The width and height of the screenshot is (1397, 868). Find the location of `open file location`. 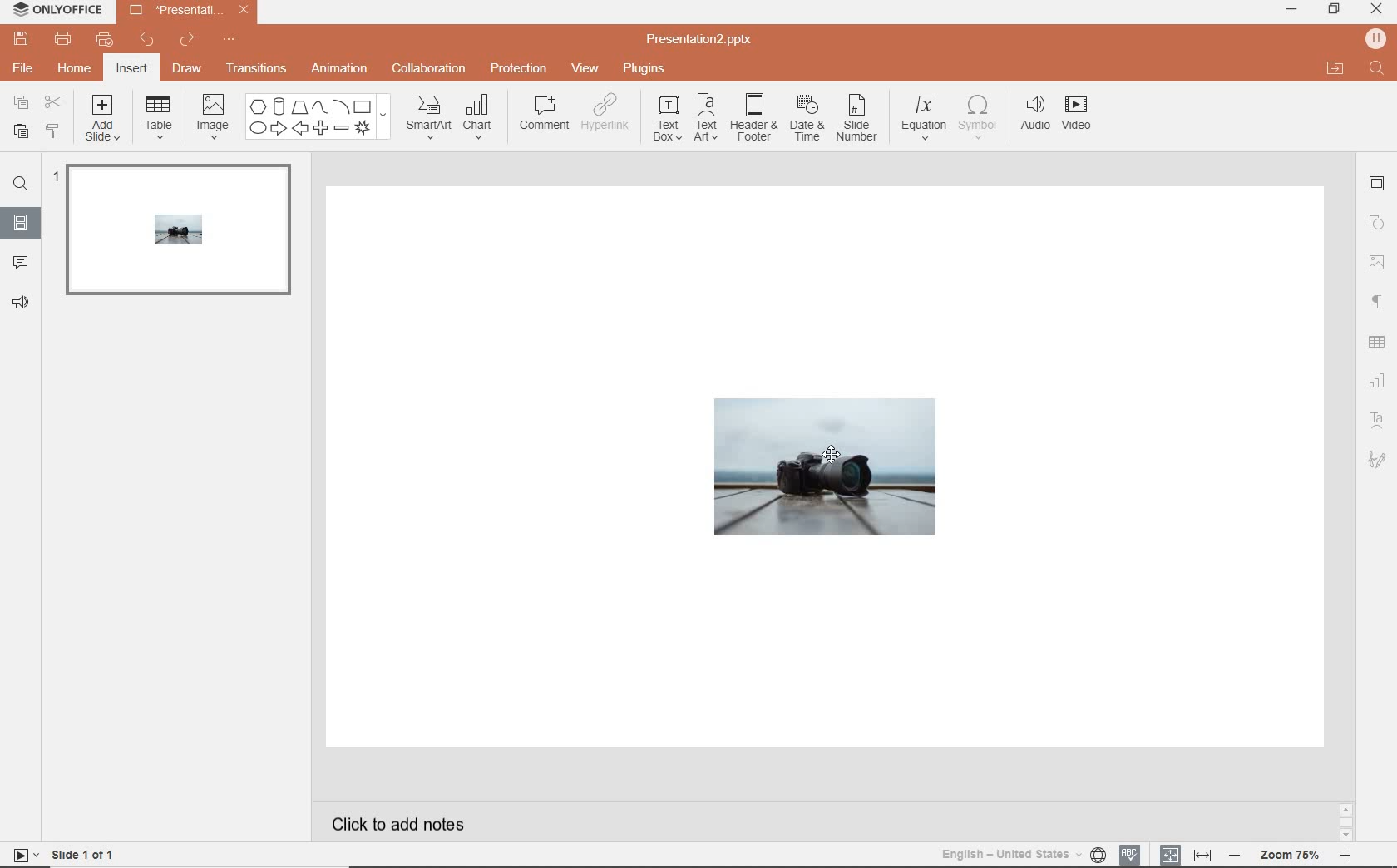

open file location is located at coordinates (1335, 69).